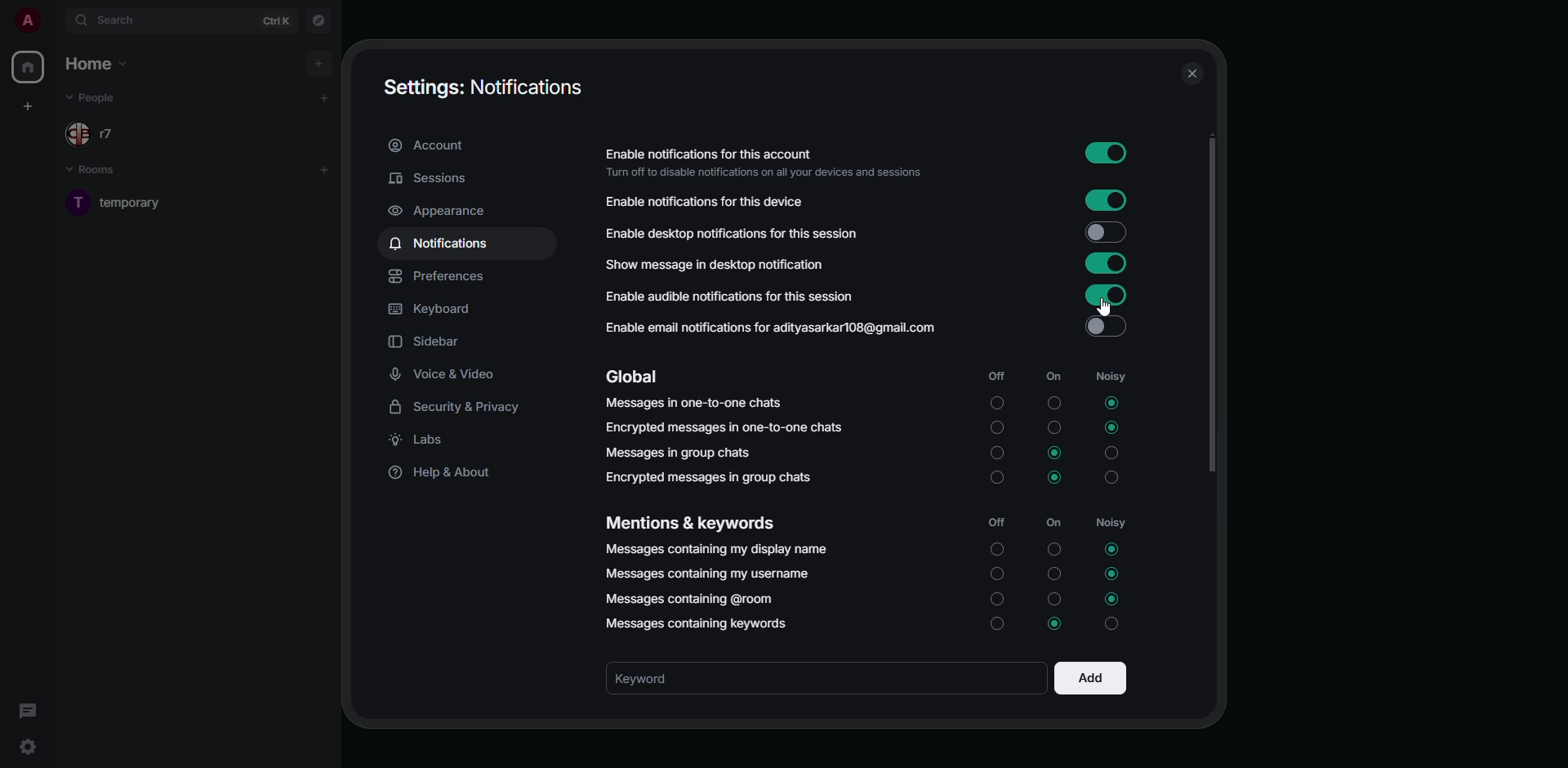  Describe the element at coordinates (324, 96) in the screenshot. I see `add` at that location.